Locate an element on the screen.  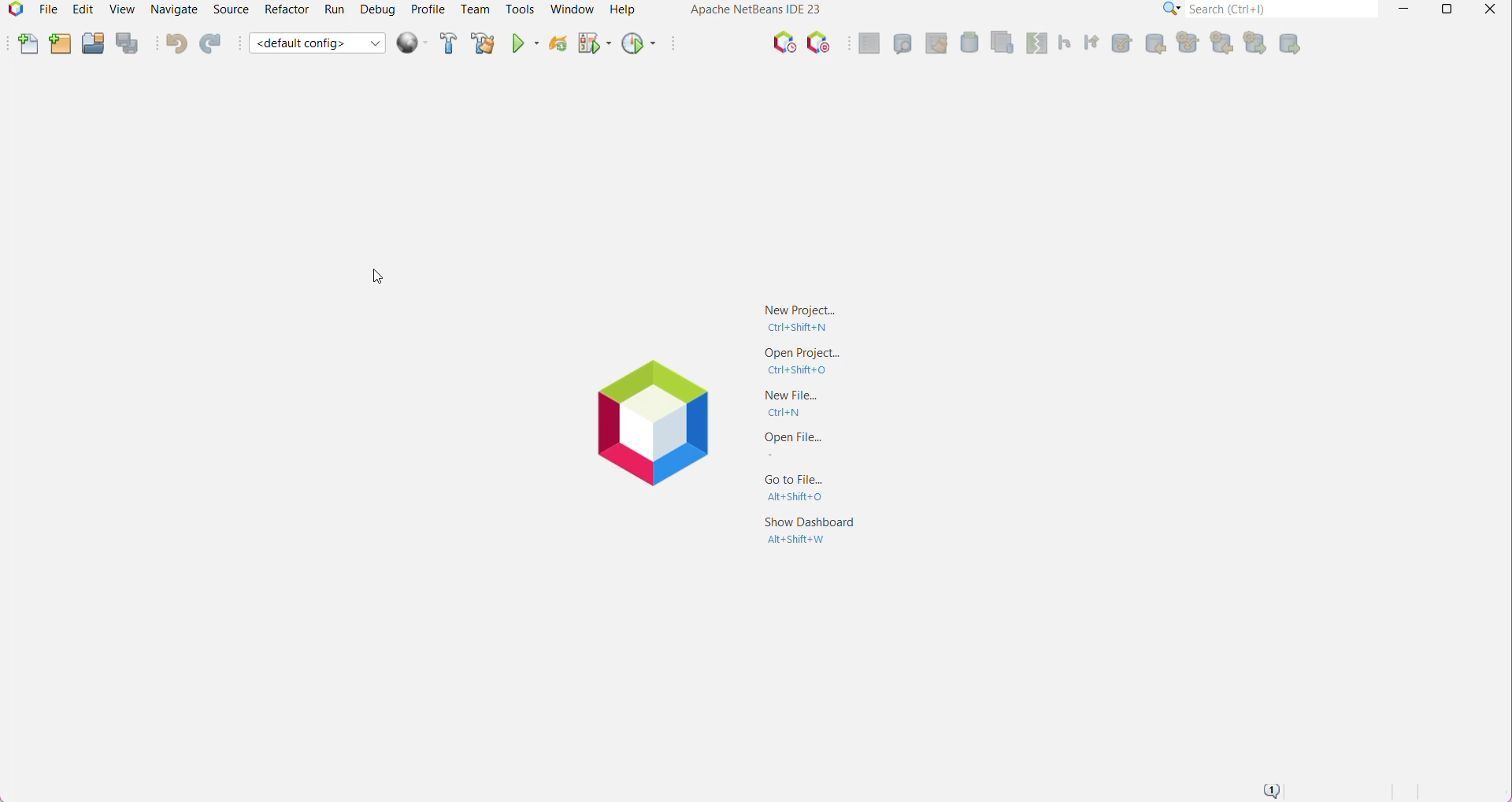
Run is located at coordinates (335, 9).